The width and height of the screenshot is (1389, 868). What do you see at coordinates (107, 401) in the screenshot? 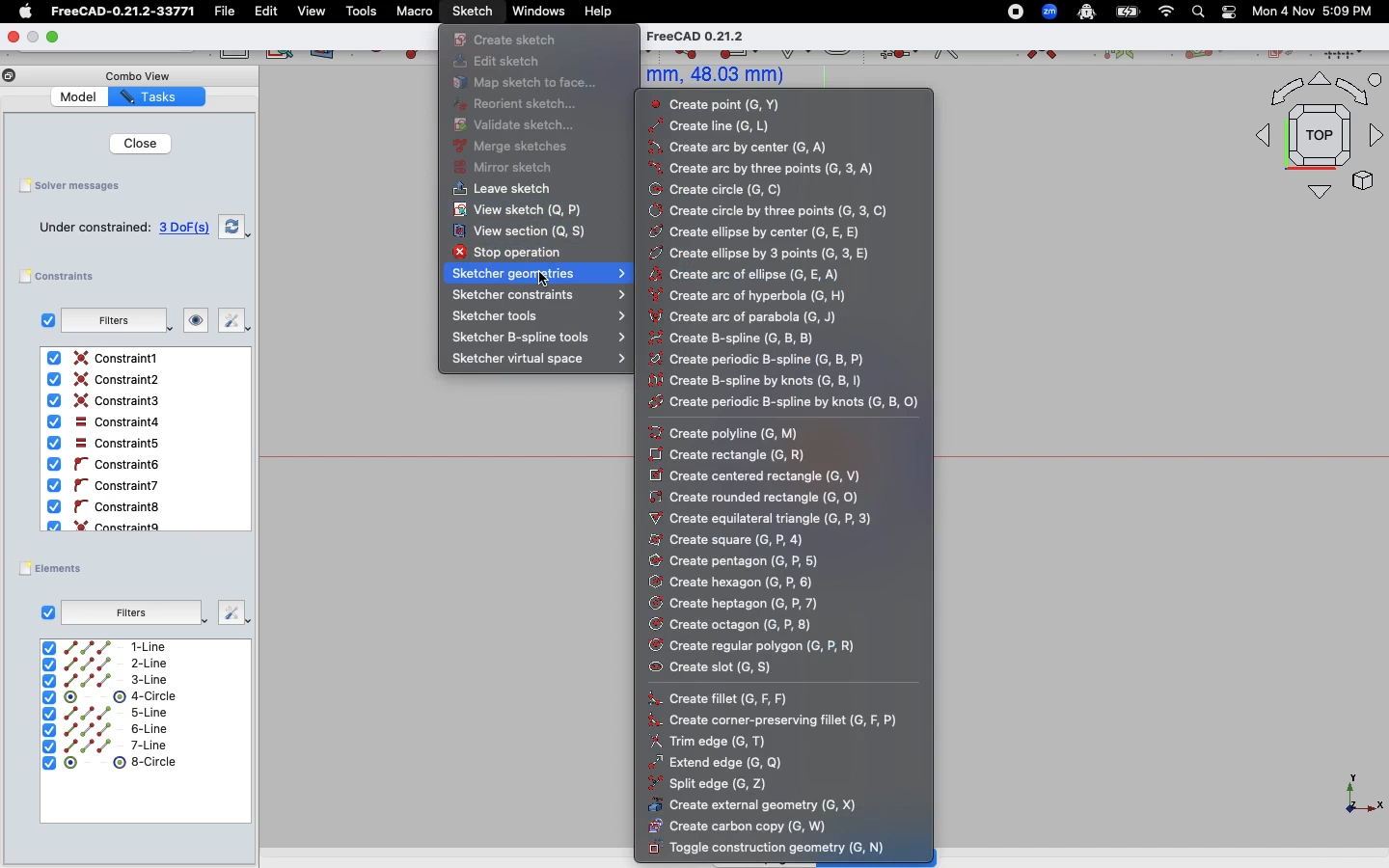
I see `Contraint3` at bounding box center [107, 401].